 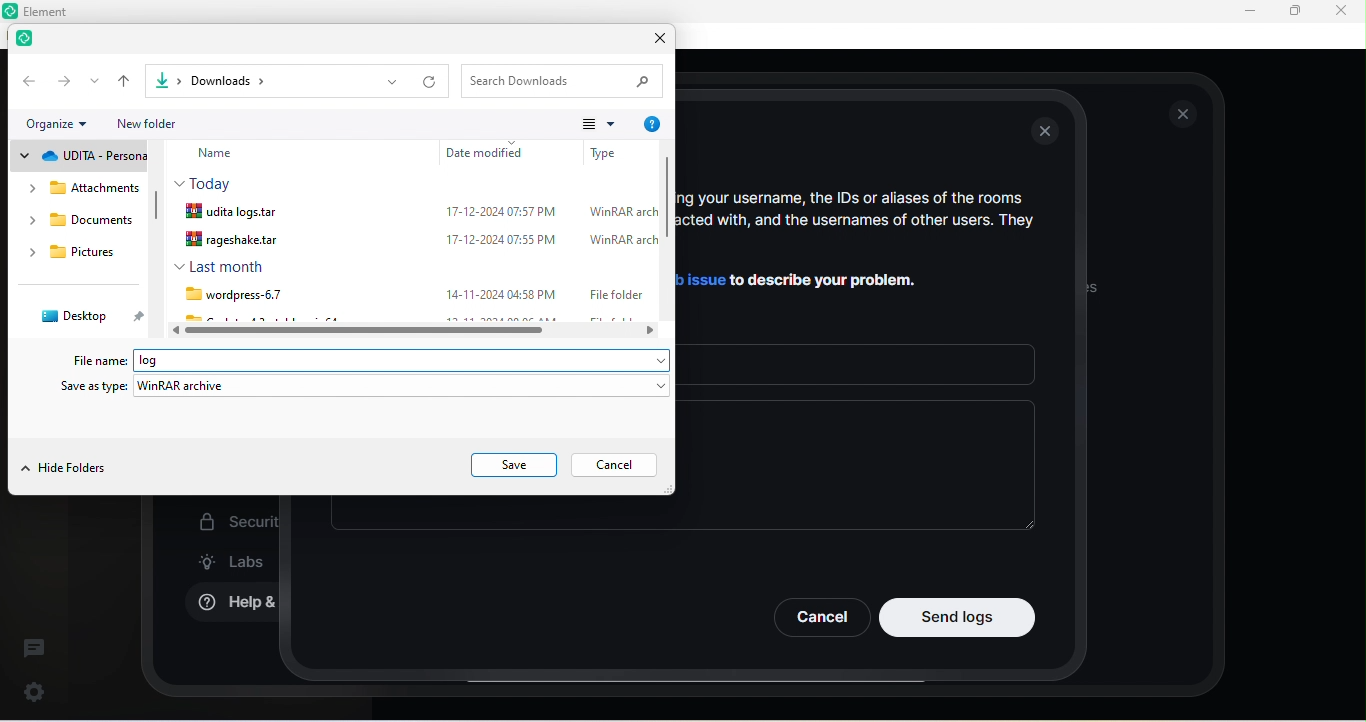 I want to click on up to previous folder, so click(x=126, y=81).